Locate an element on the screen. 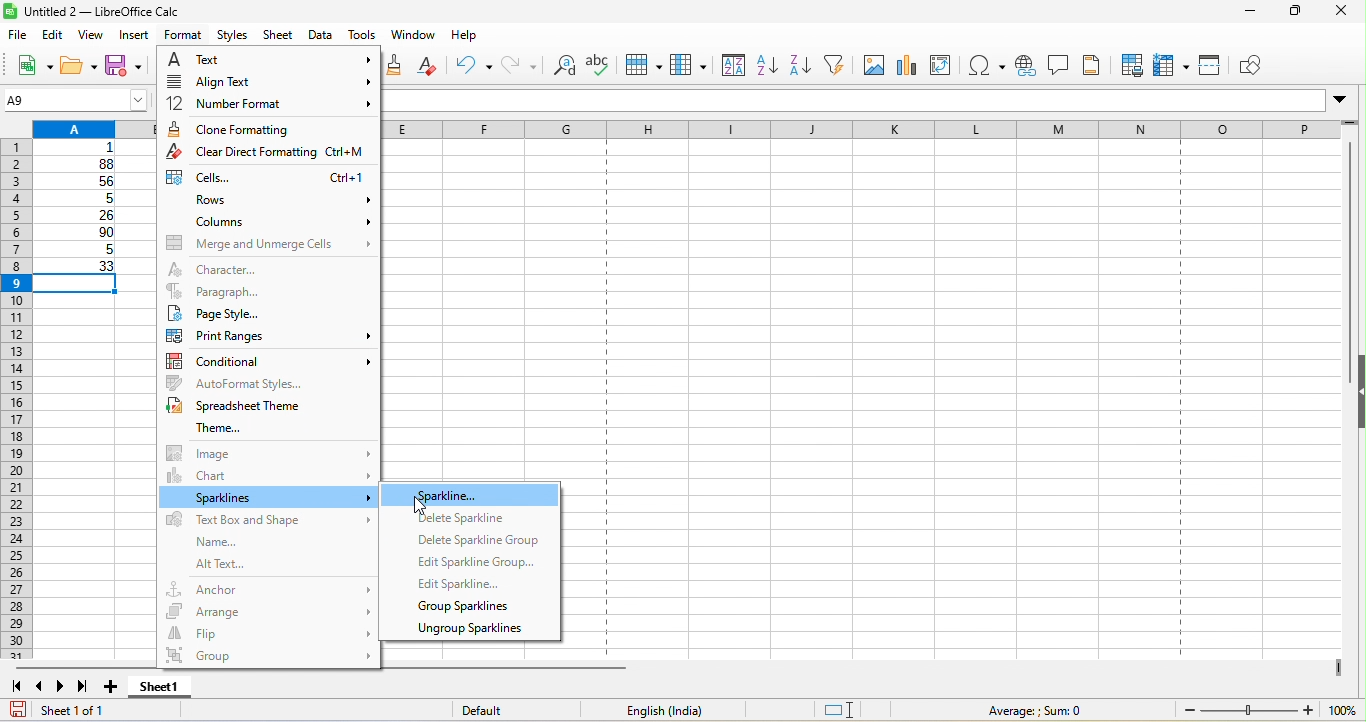  edit is located at coordinates (55, 34).